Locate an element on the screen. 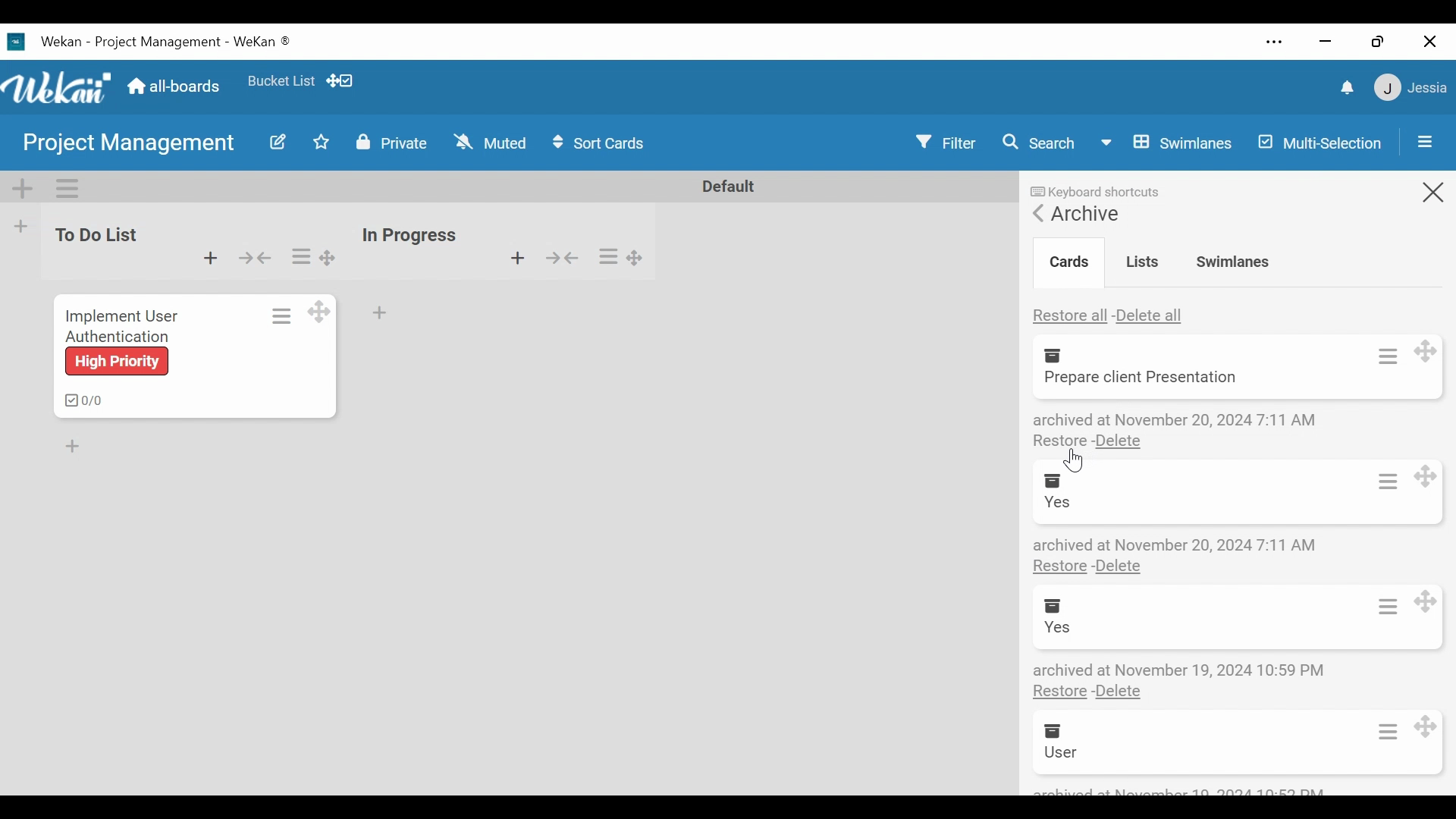  settings and more is located at coordinates (1272, 42).